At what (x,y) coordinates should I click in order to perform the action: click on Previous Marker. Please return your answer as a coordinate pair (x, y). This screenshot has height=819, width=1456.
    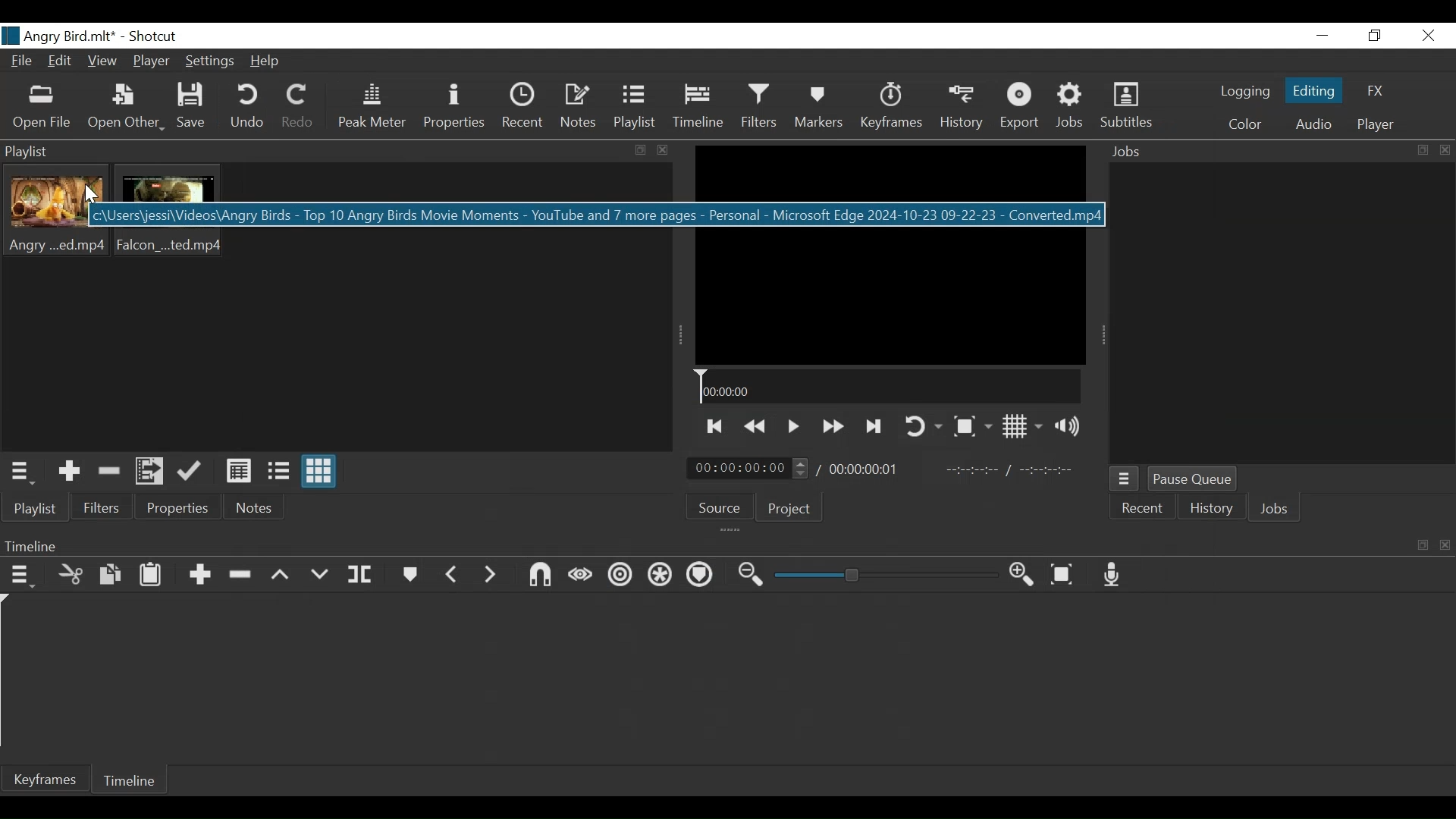
    Looking at the image, I should click on (453, 574).